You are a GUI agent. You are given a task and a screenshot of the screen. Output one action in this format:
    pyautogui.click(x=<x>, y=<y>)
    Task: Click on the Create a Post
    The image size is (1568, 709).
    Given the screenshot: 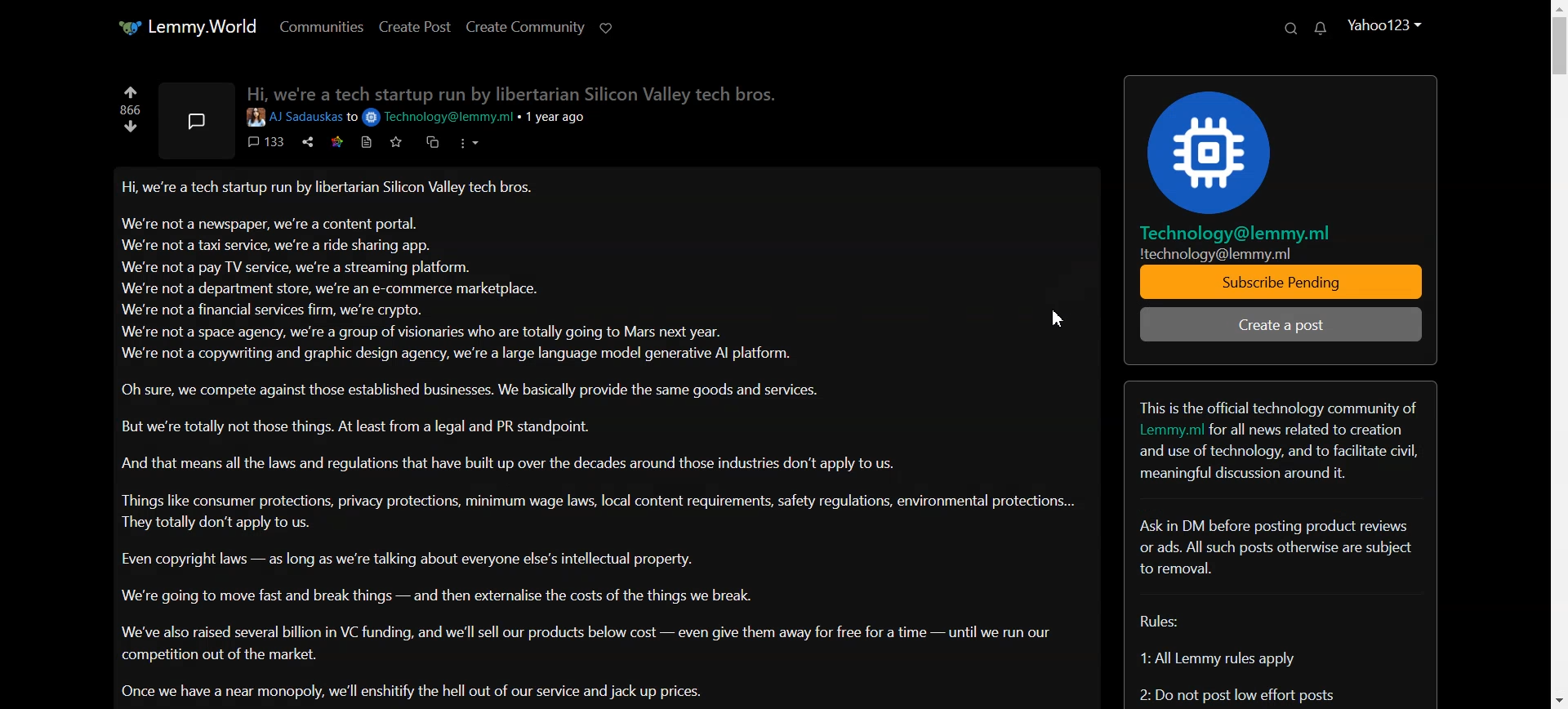 What is the action you would take?
    pyautogui.click(x=1285, y=325)
    